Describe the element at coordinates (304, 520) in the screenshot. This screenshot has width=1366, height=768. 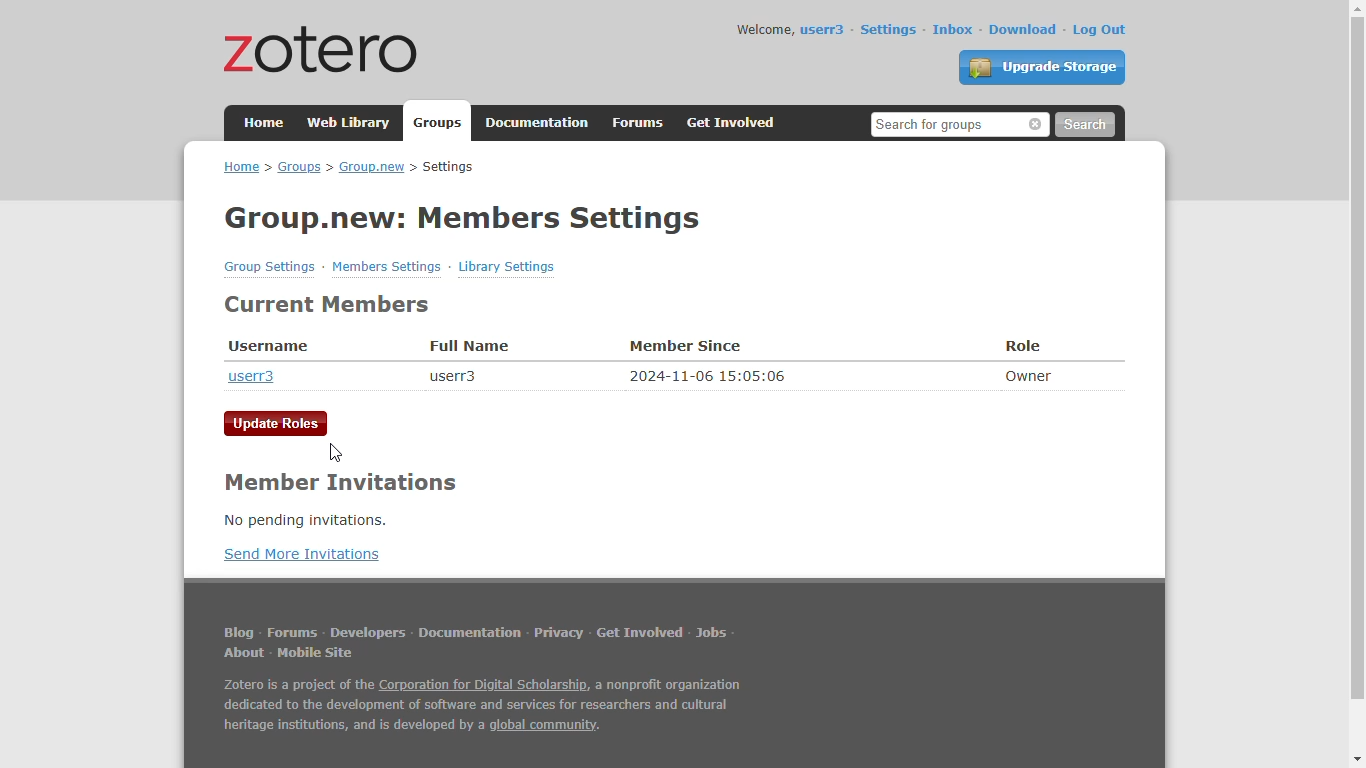
I see `no pending invitations` at that location.